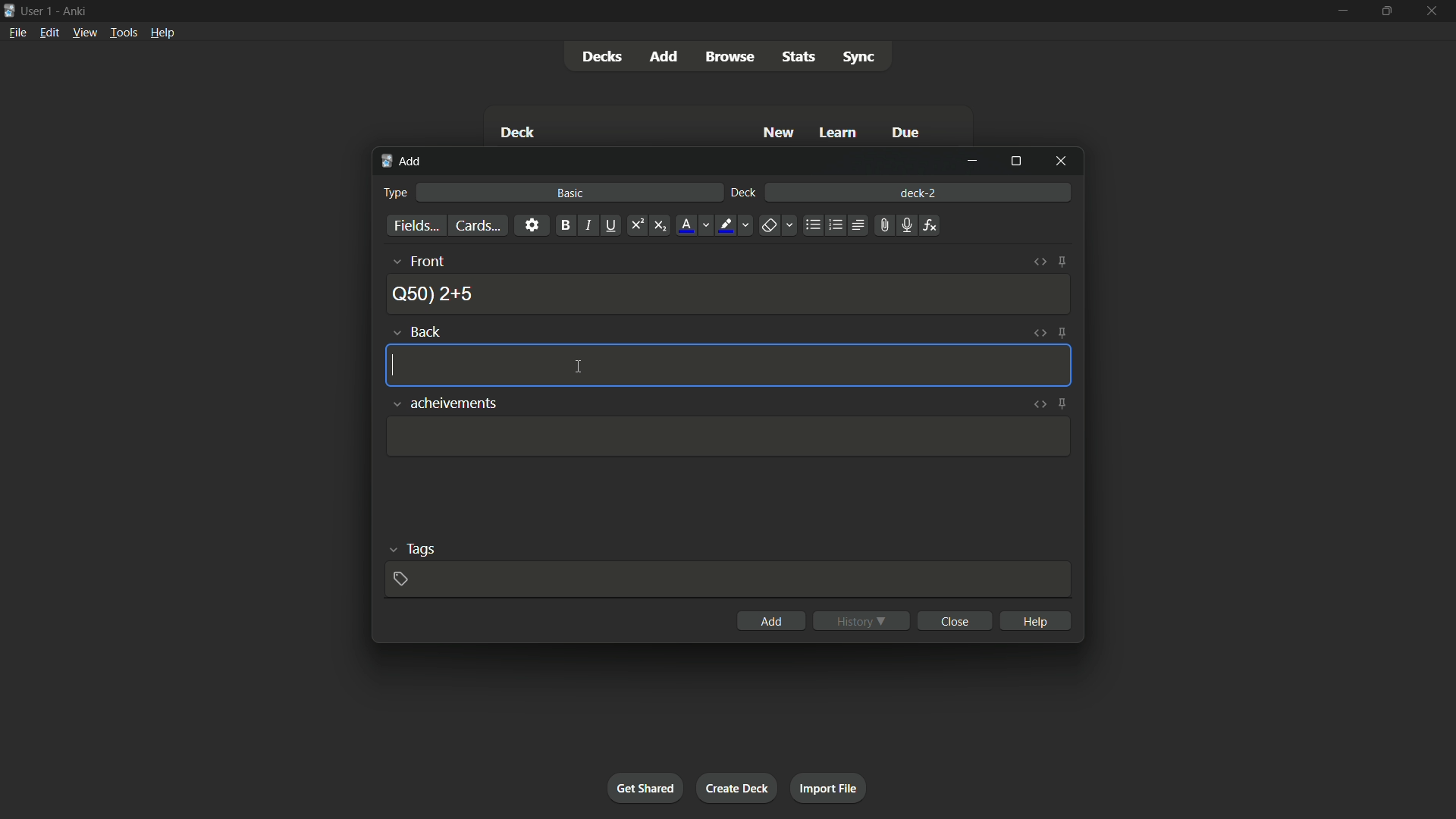  I want to click on Learn, so click(839, 133).